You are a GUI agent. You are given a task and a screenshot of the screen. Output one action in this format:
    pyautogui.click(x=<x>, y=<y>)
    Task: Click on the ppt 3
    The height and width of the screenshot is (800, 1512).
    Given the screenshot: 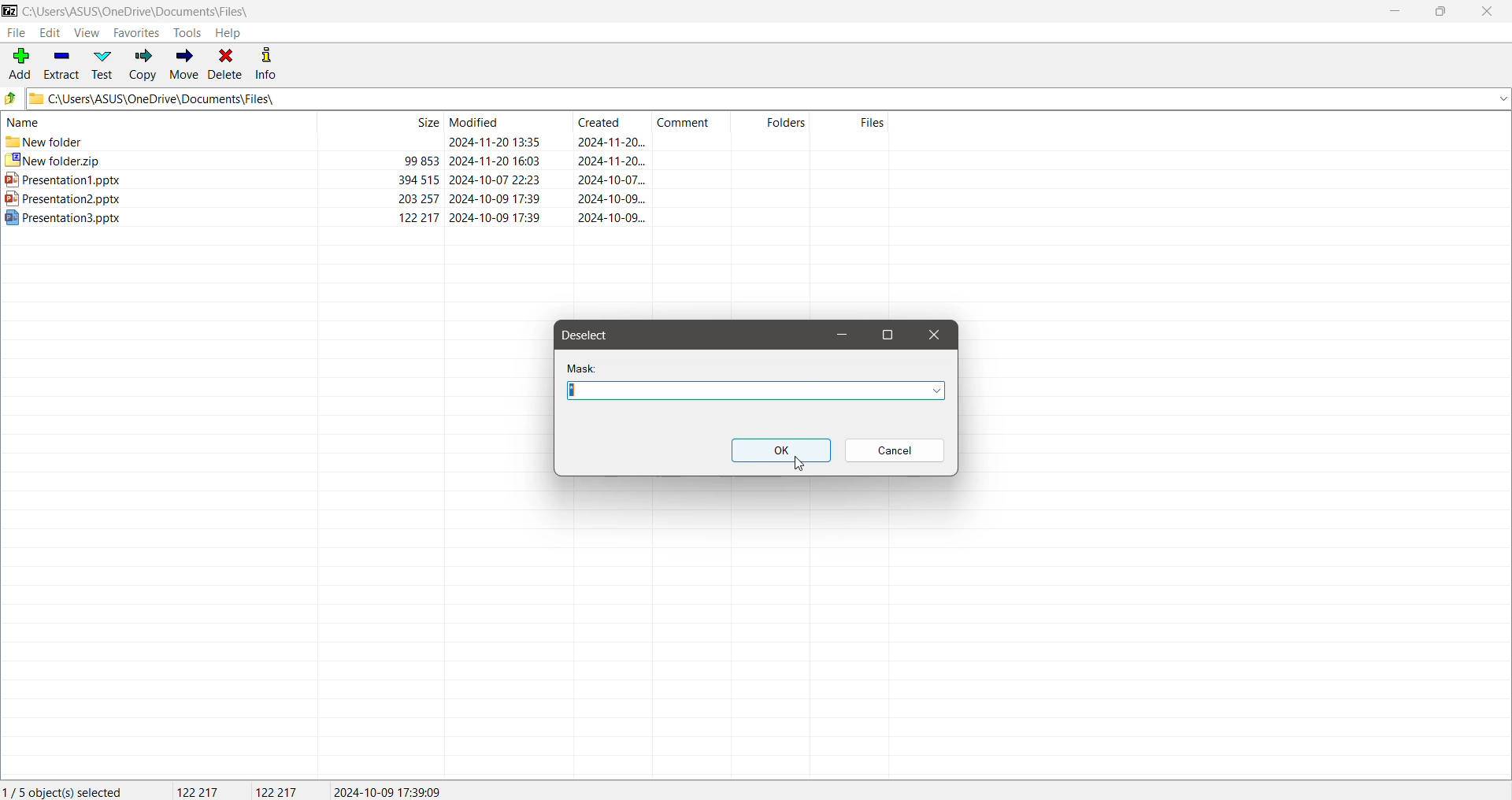 What is the action you would take?
    pyautogui.click(x=445, y=217)
    